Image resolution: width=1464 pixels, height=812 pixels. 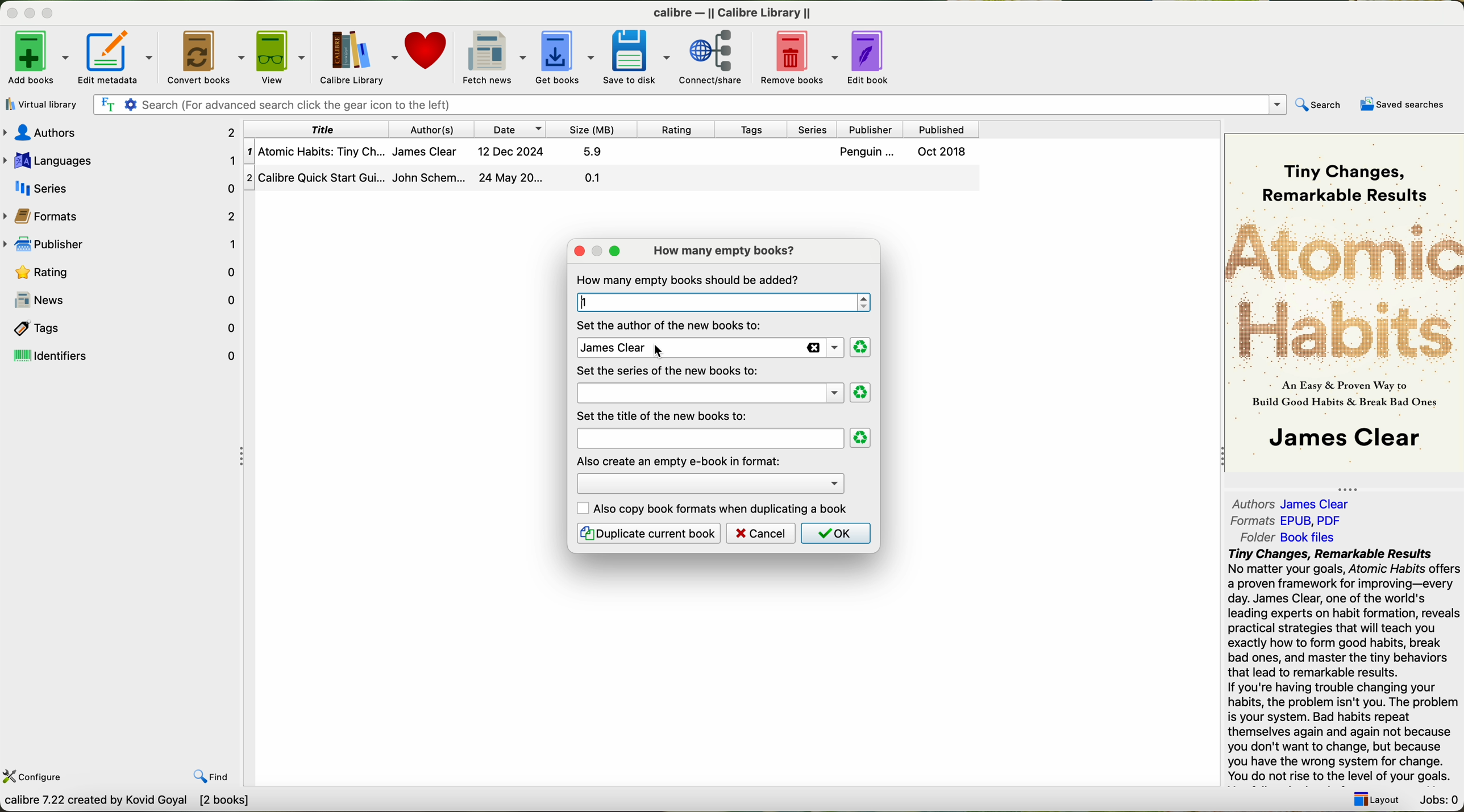 I want to click on book cover preview, so click(x=1345, y=302).